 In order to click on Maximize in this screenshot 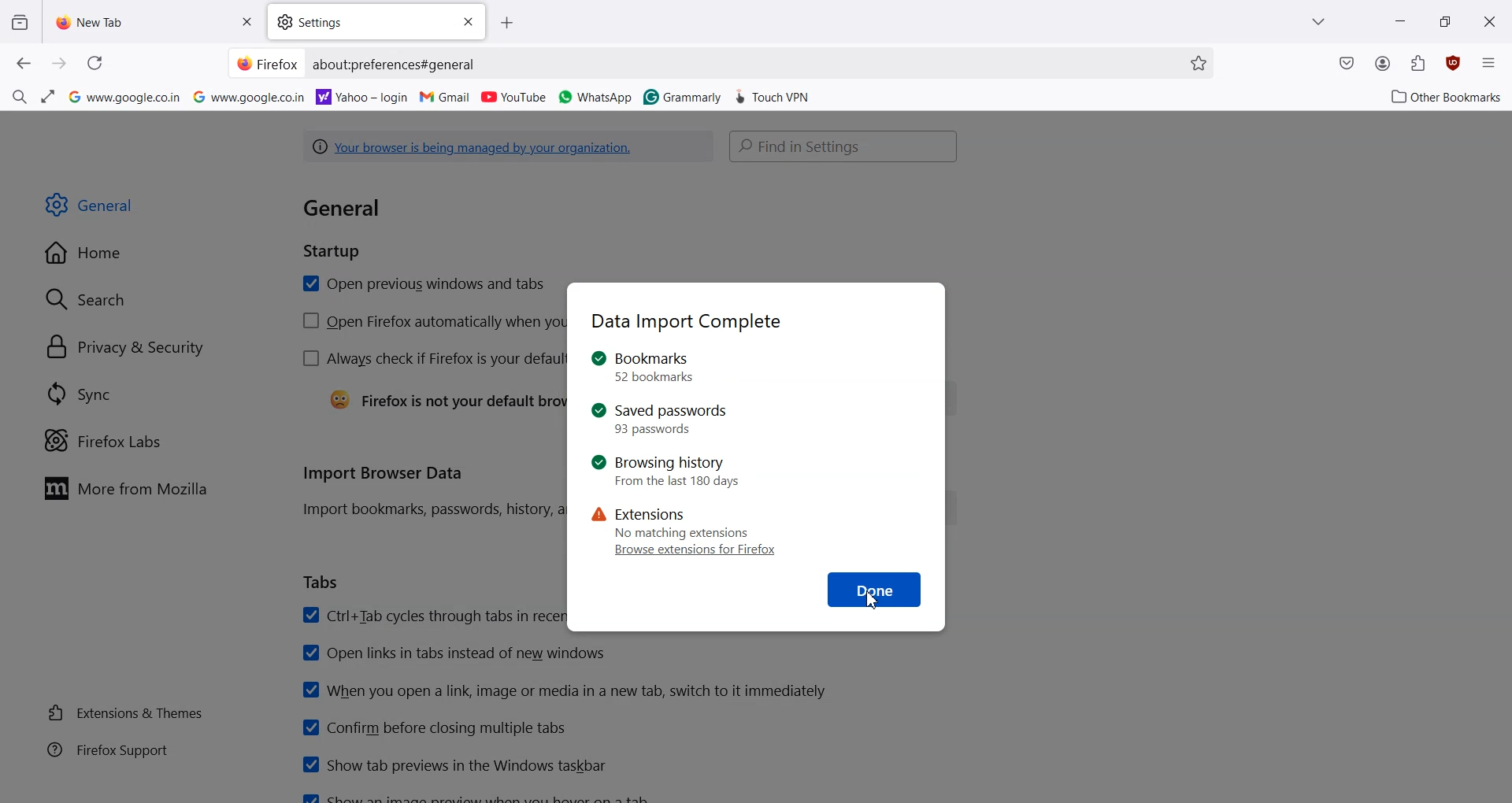, I will do `click(1444, 20)`.